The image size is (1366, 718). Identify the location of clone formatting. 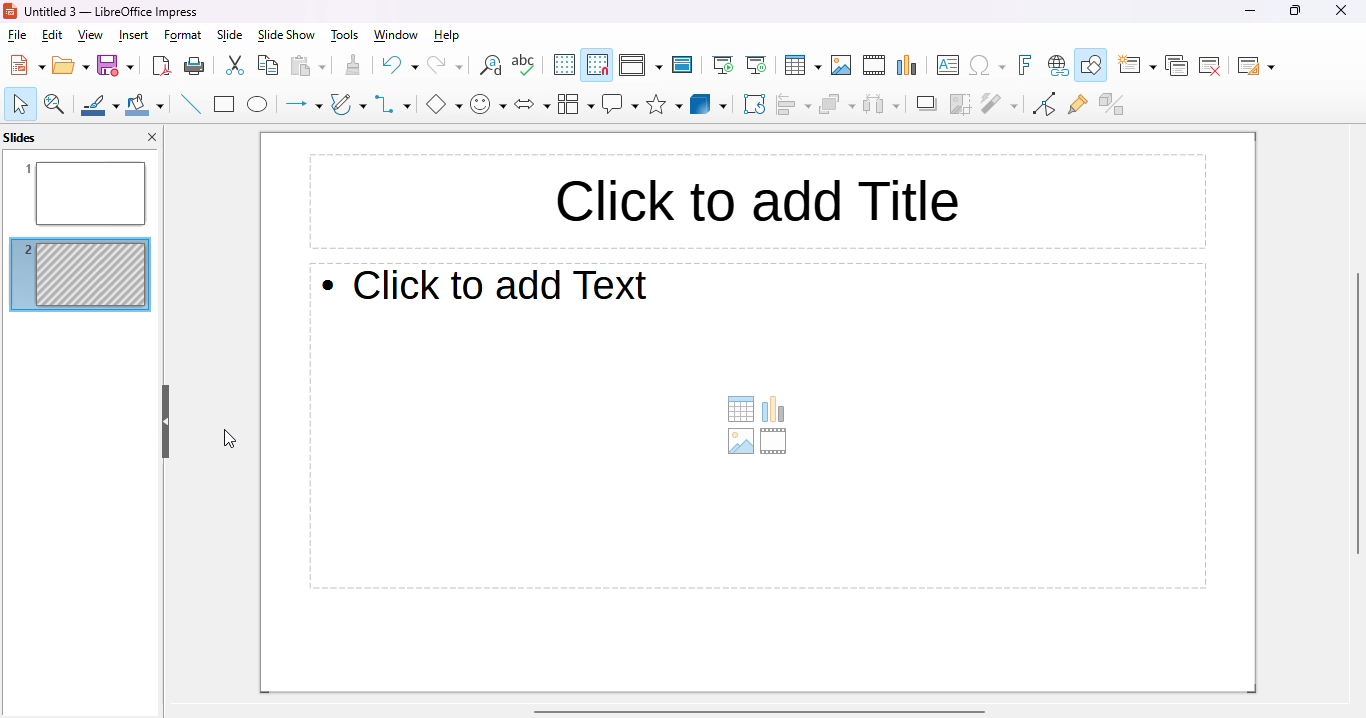
(353, 65).